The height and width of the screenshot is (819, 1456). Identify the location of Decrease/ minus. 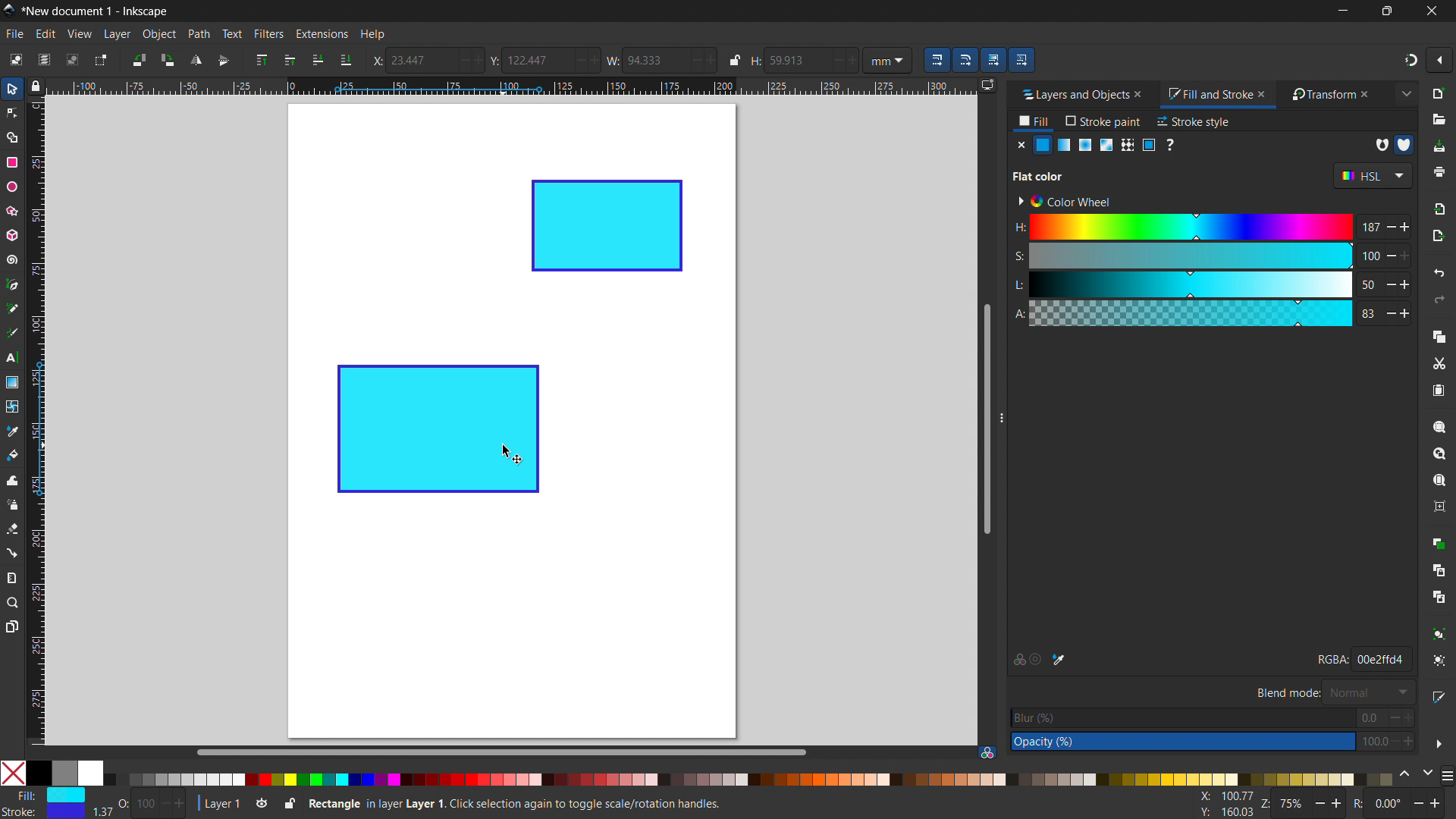
(833, 59).